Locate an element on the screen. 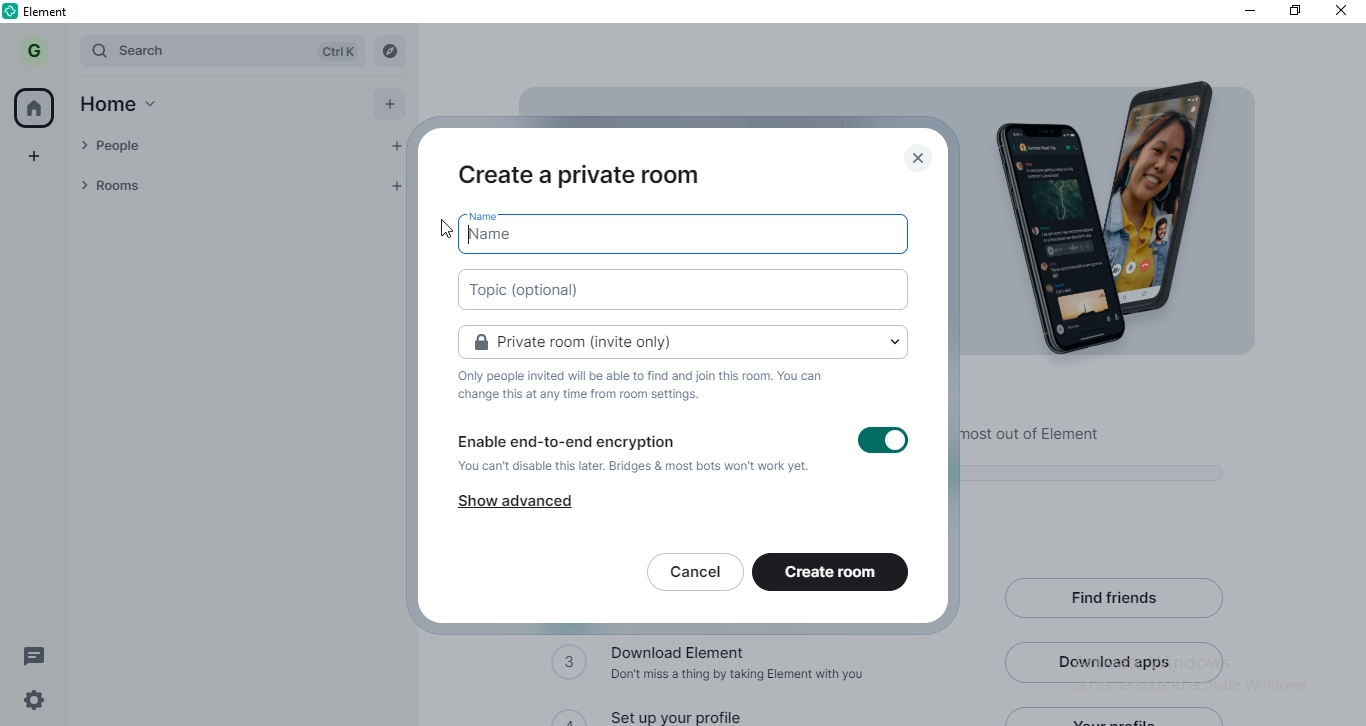  start chat is located at coordinates (396, 149).